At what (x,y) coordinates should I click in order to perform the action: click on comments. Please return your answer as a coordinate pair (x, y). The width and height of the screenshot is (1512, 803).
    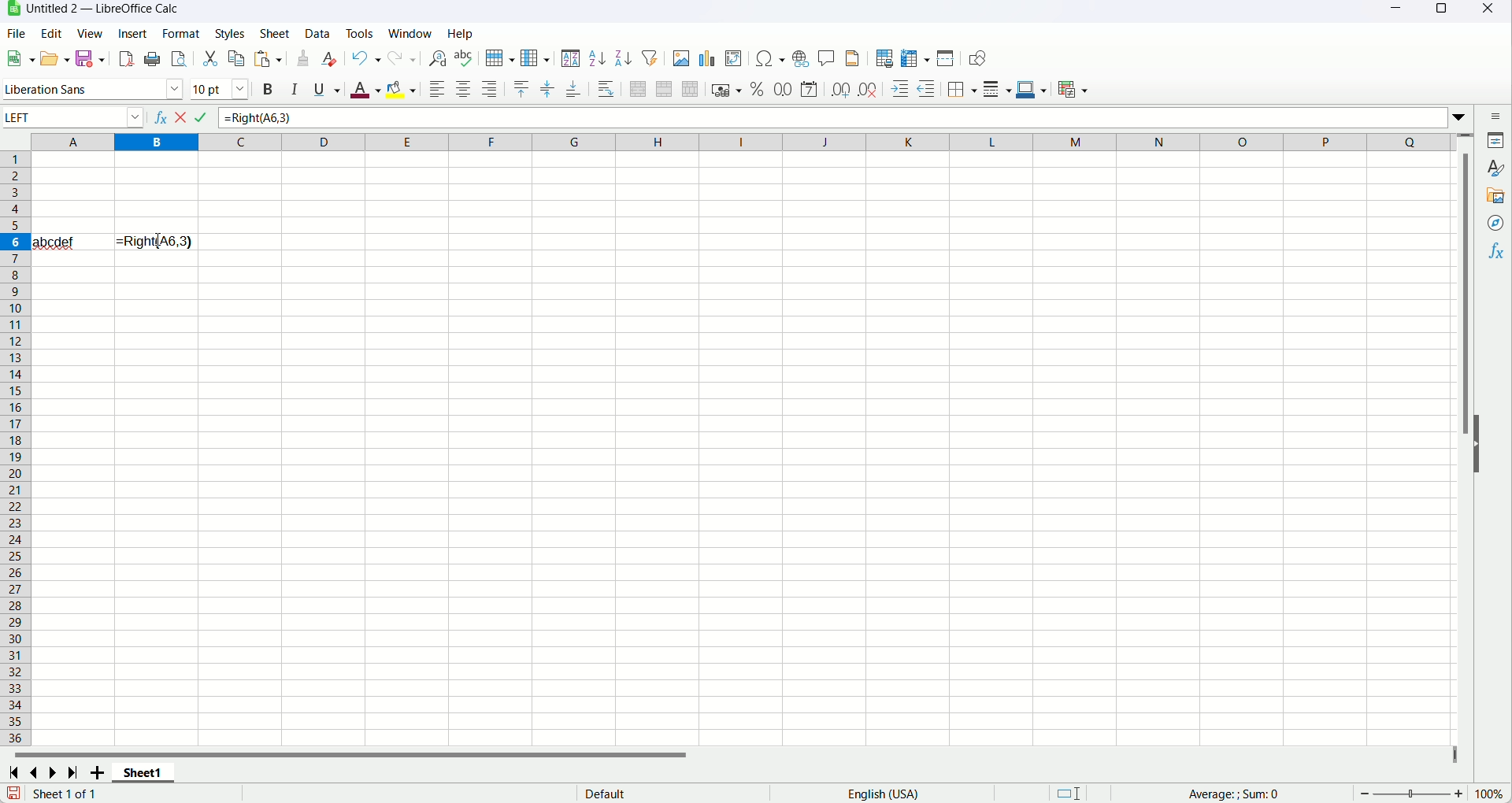
    Looking at the image, I should click on (827, 60).